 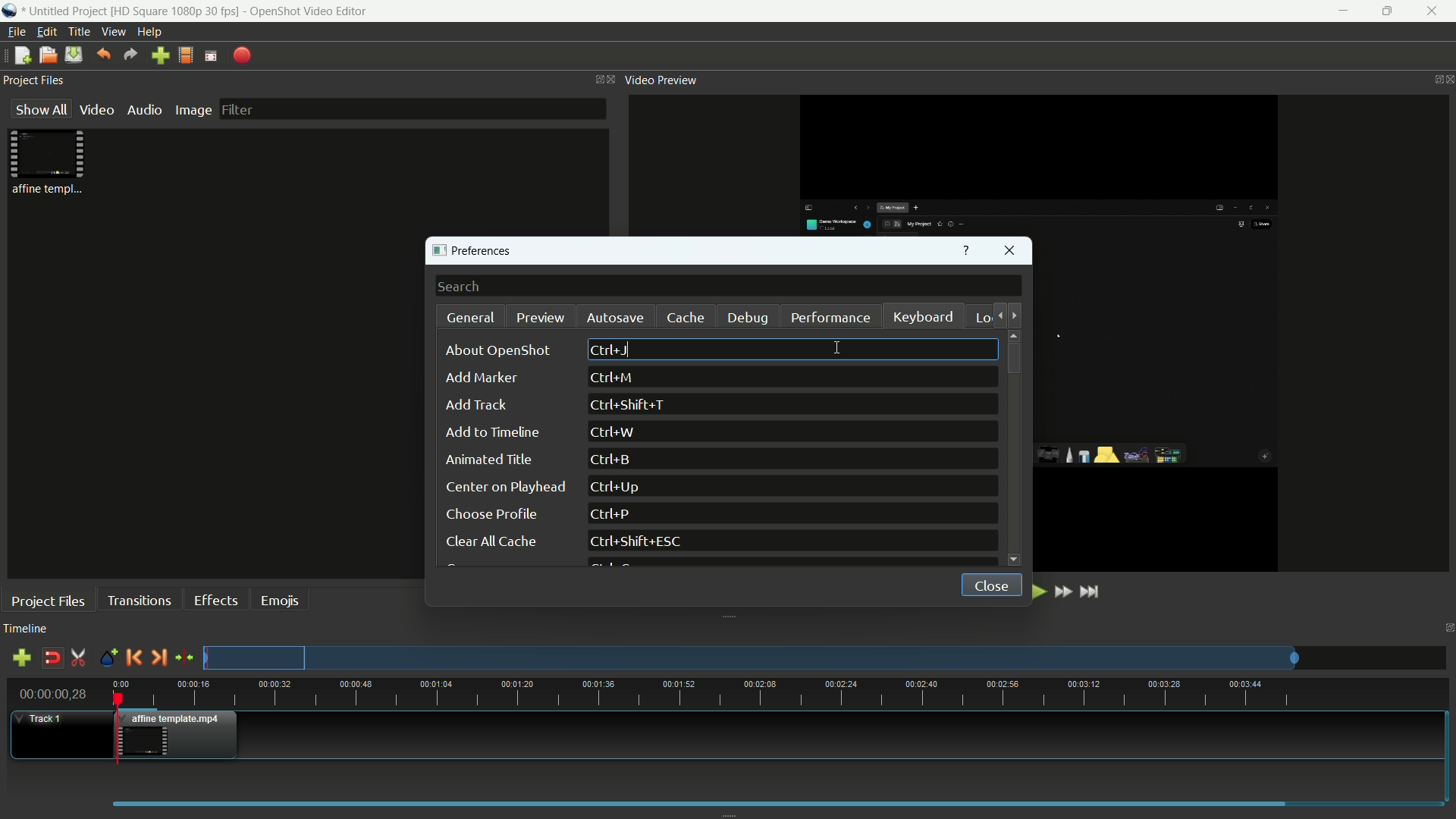 What do you see at coordinates (186, 55) in the screenshot?
I see `profile` at bounding box center [186, 55].